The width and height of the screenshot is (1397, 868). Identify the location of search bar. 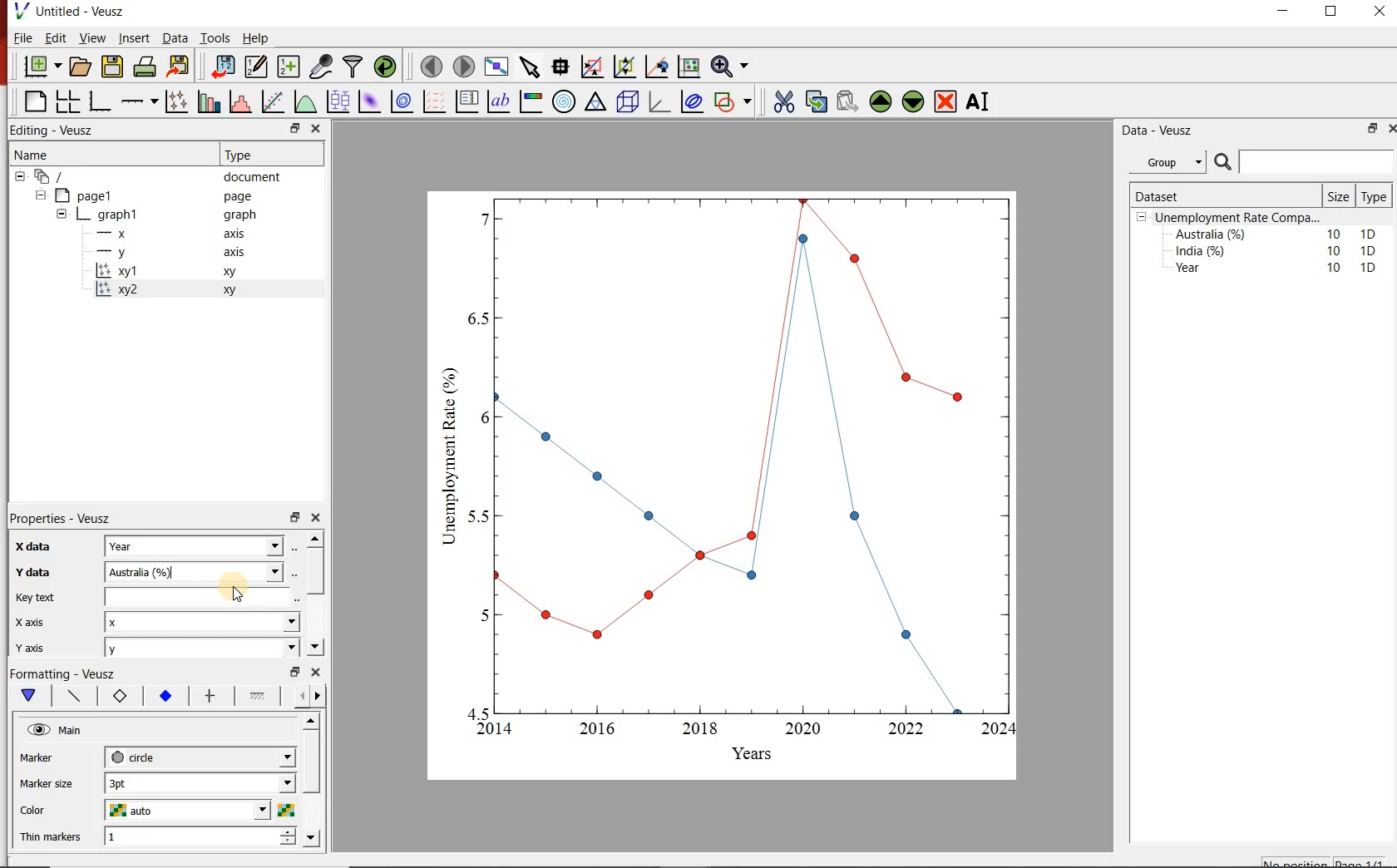
(1302, 162).